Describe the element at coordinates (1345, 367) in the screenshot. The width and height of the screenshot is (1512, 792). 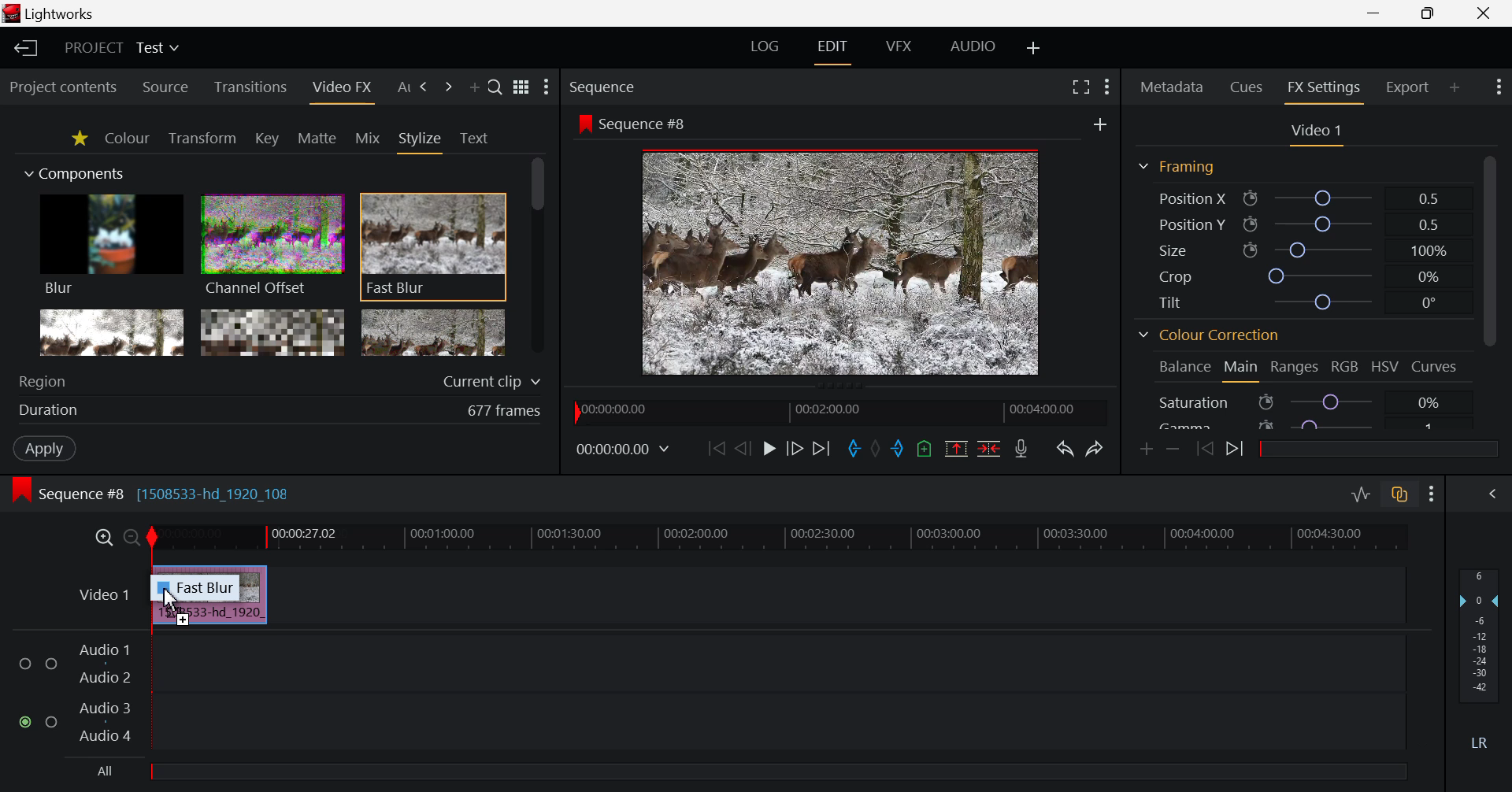
I see `RGB` at that location.